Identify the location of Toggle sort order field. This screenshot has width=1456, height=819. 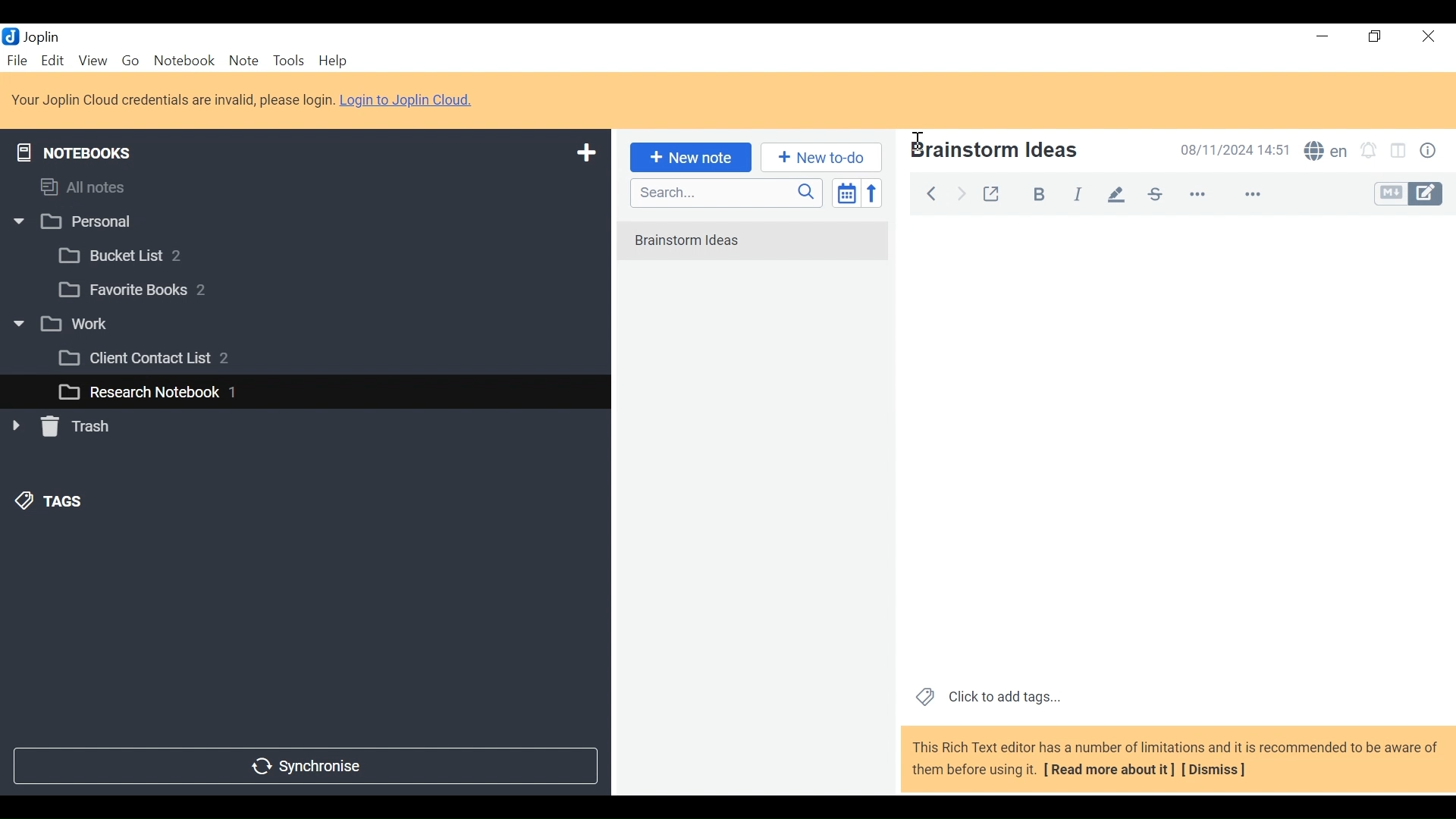
(845, 192).